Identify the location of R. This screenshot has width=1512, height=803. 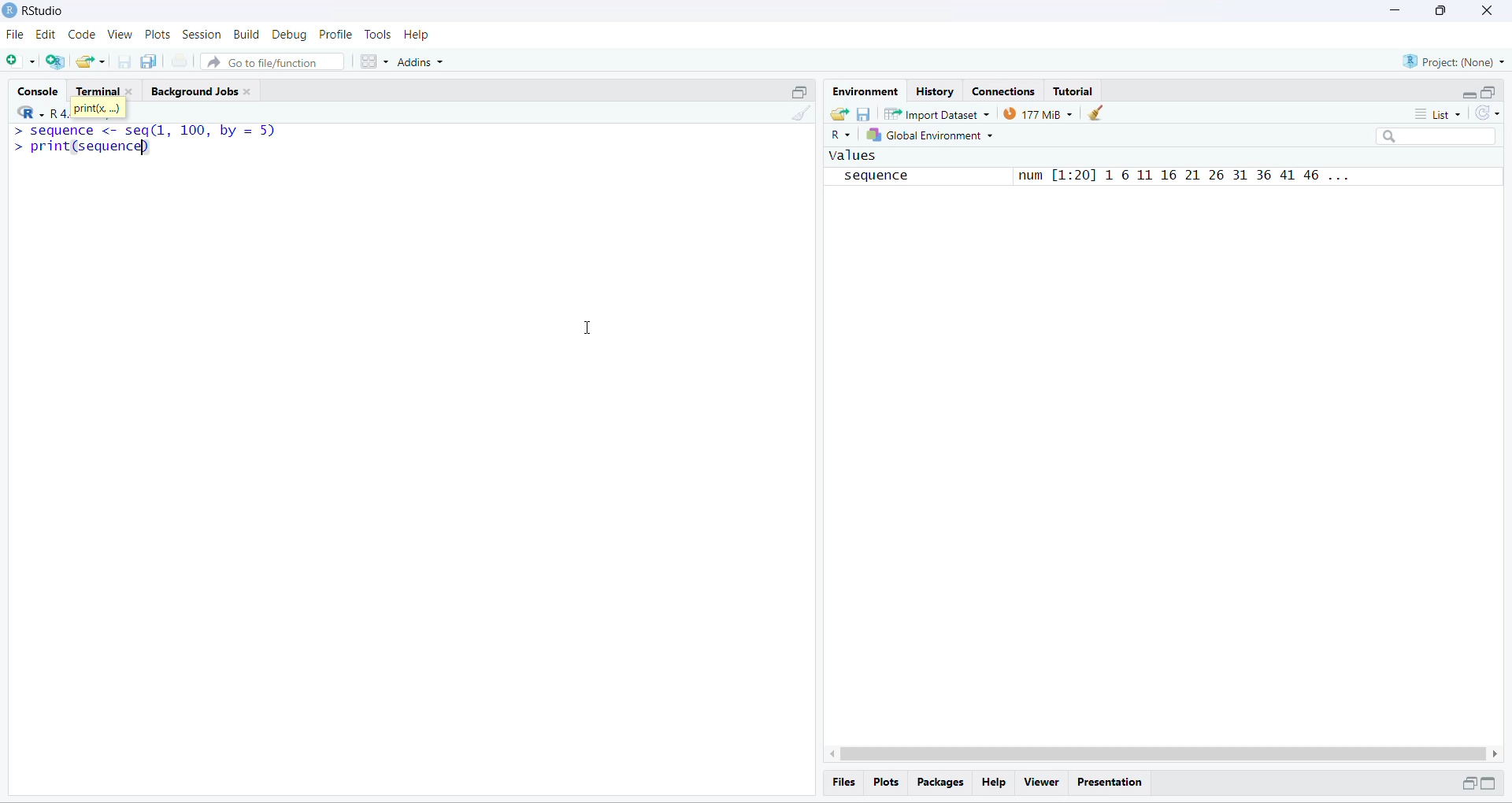
(30, 111).